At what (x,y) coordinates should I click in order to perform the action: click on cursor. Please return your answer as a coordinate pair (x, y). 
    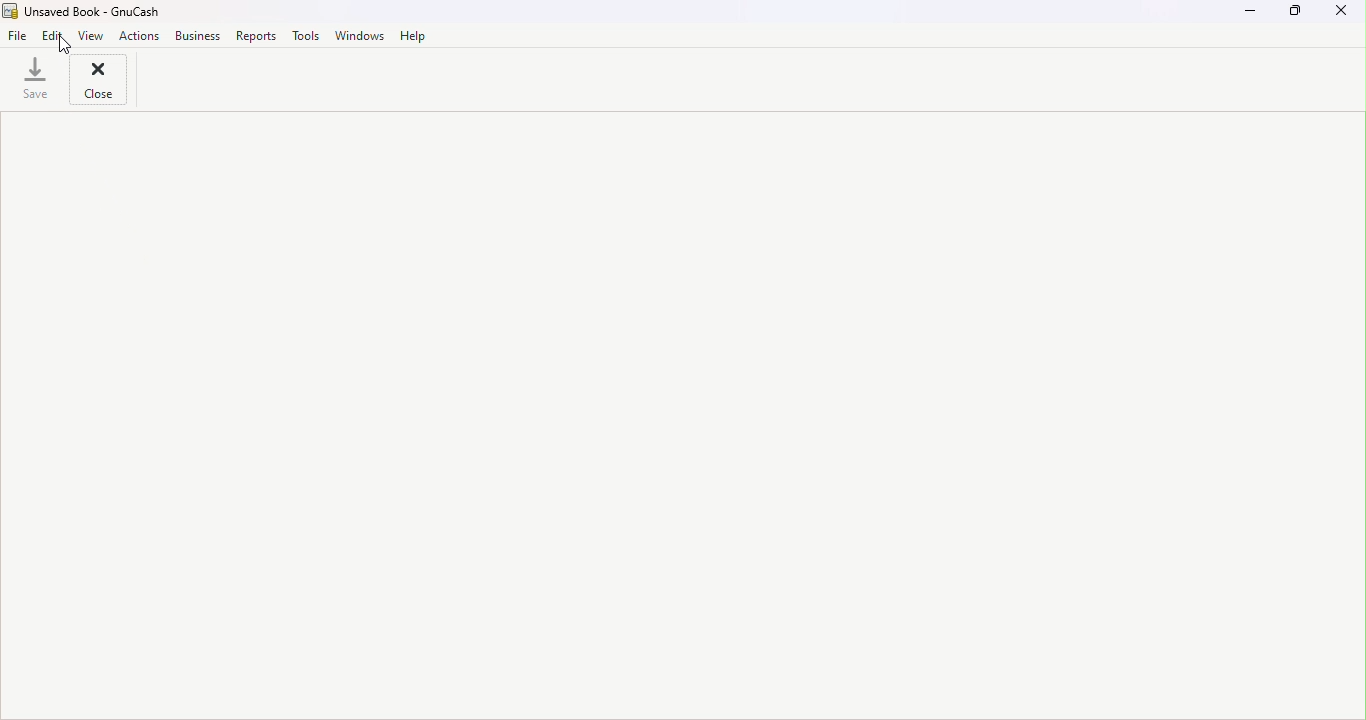
    Looking at the image, I should click on (60, 42).